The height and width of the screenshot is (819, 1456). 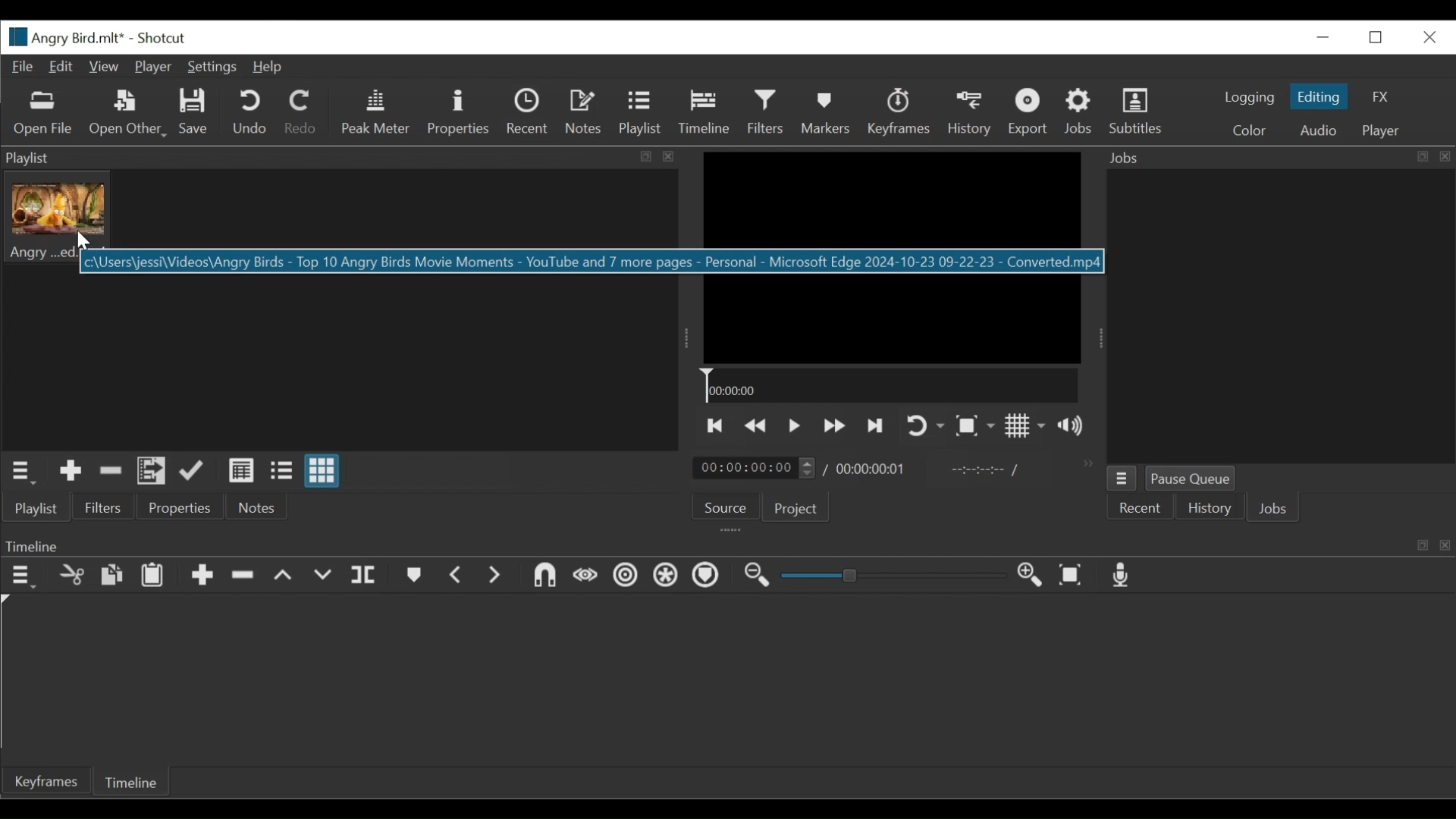 What do you see at coordinates (202, 578) in the screenshot?
I see `add clip` at bounding box center [202, 578].